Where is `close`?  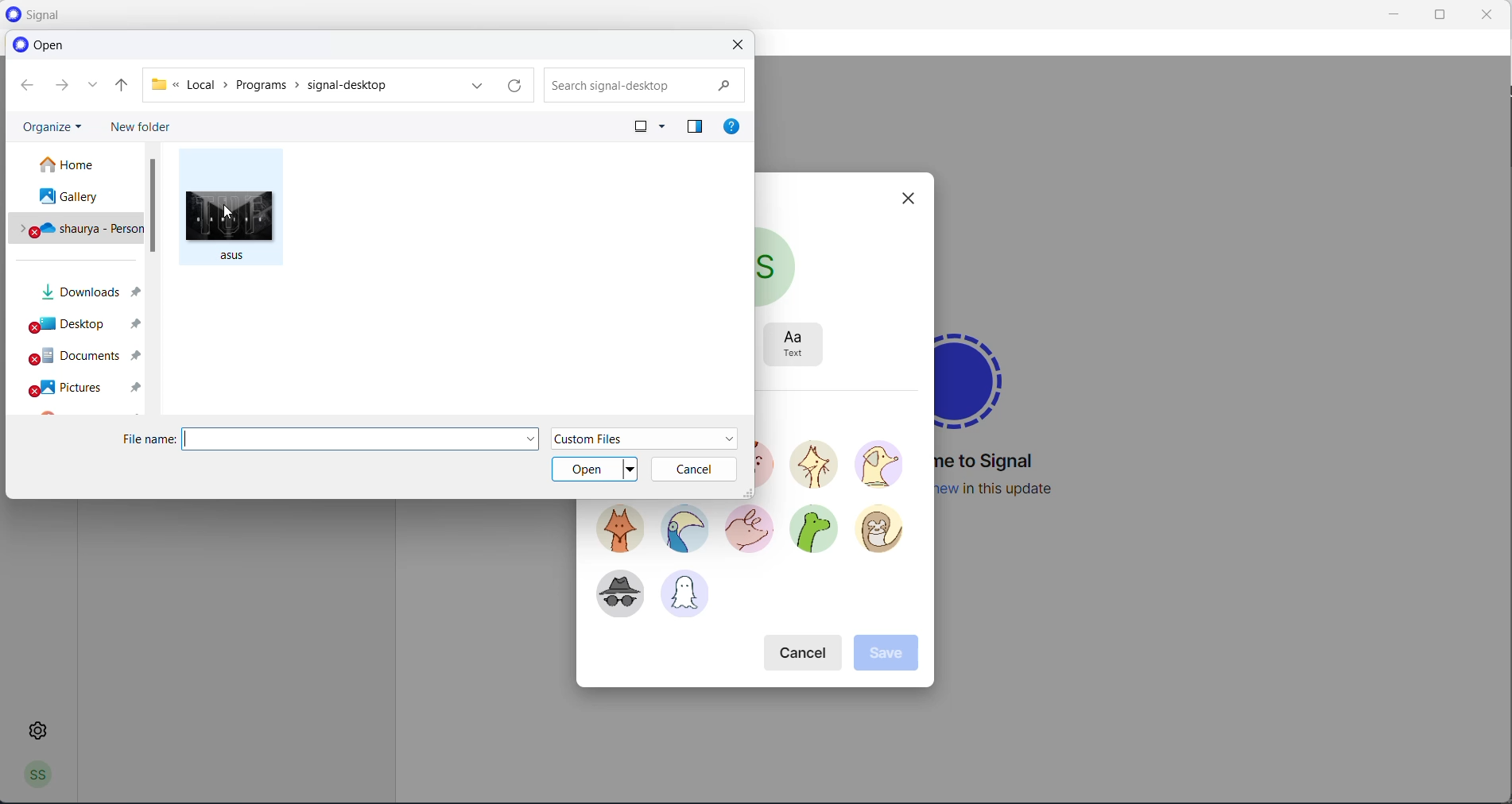 close is located at coordinates (740, 44).